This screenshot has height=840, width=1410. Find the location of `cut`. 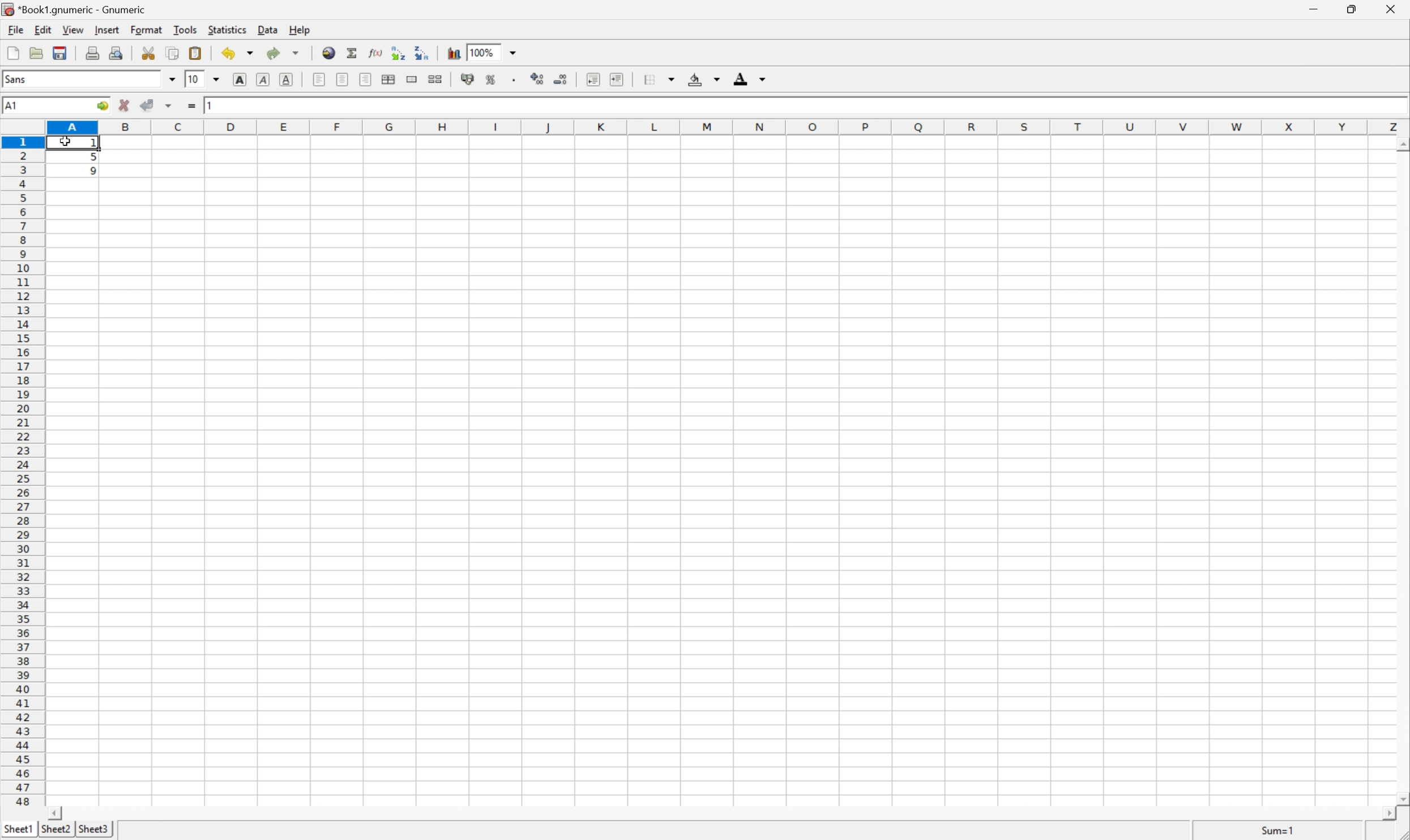

cut is located at coordinates (148, 52).